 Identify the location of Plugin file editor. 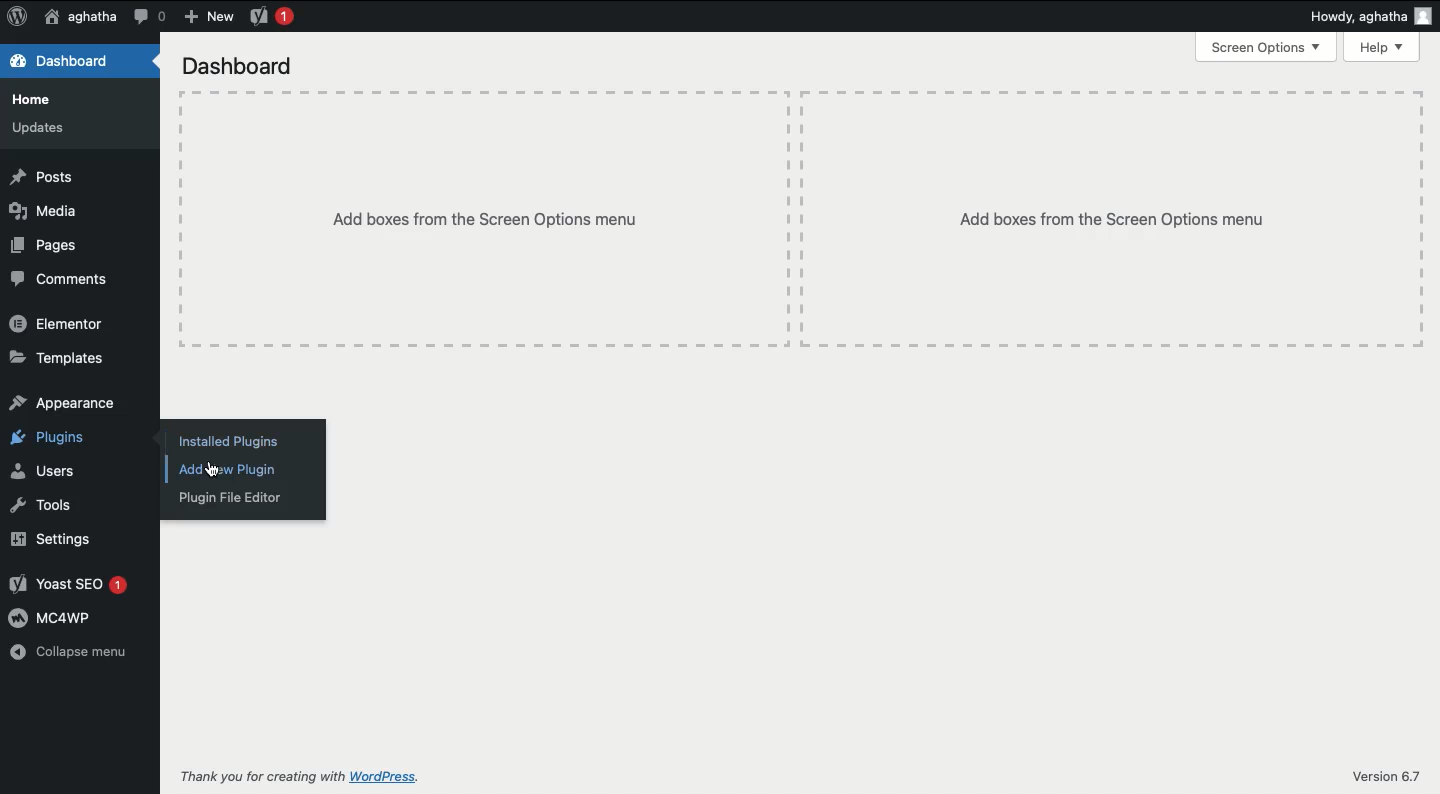
(230, 500).